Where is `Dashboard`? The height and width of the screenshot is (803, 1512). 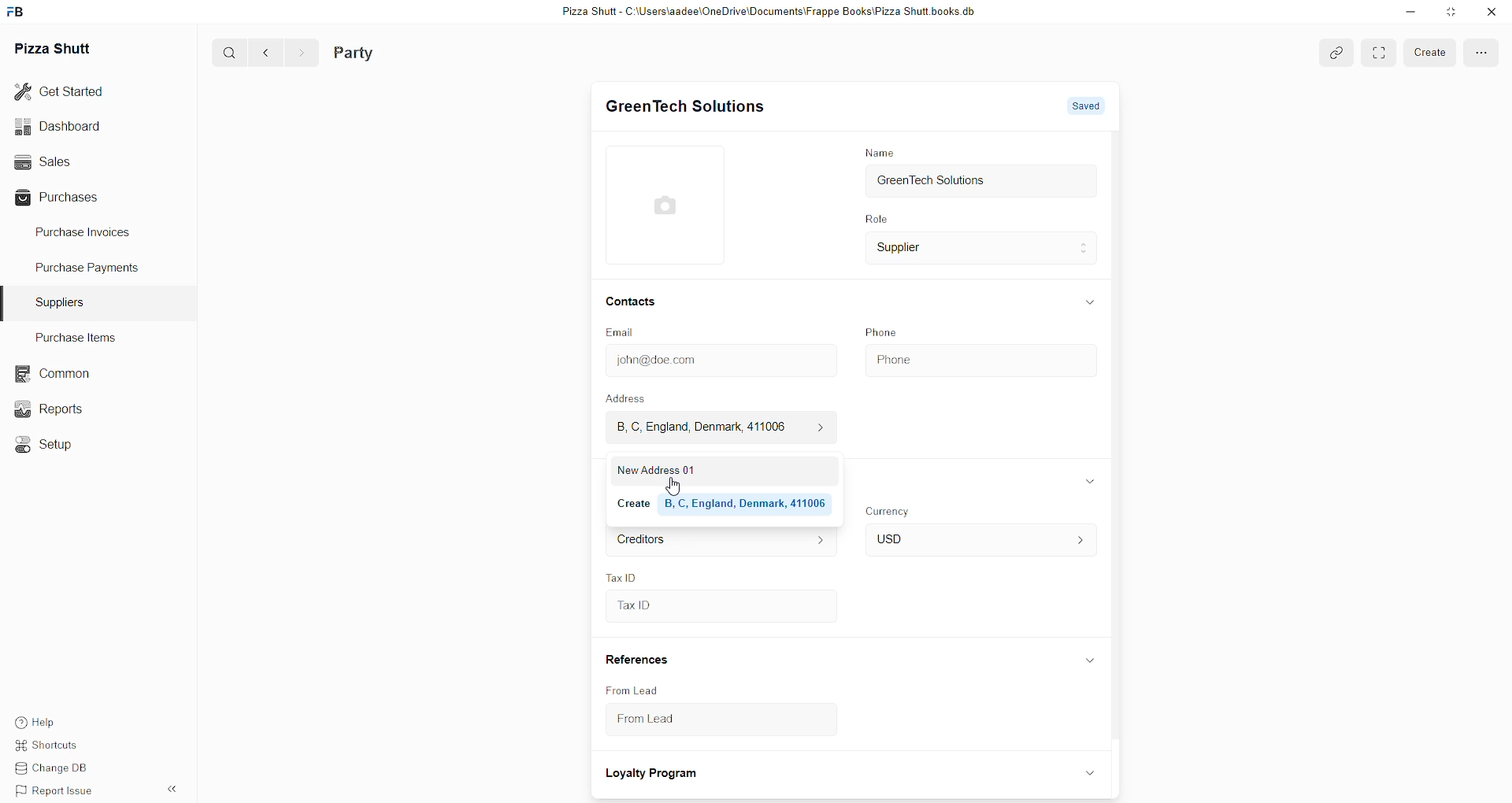
Dashboard is located at coordinates (76, 127).